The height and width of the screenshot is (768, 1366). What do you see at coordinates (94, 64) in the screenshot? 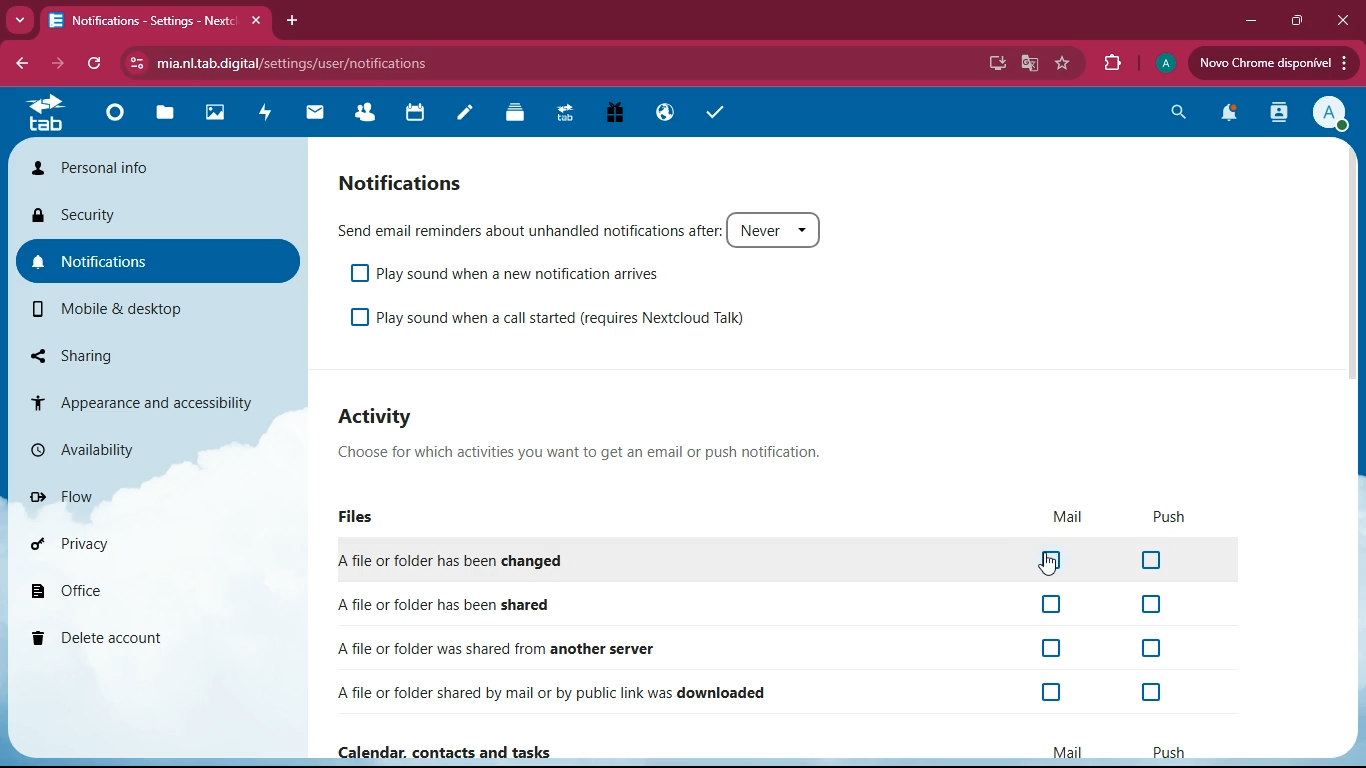
I see `refresh` at bounding box center [94, 64].